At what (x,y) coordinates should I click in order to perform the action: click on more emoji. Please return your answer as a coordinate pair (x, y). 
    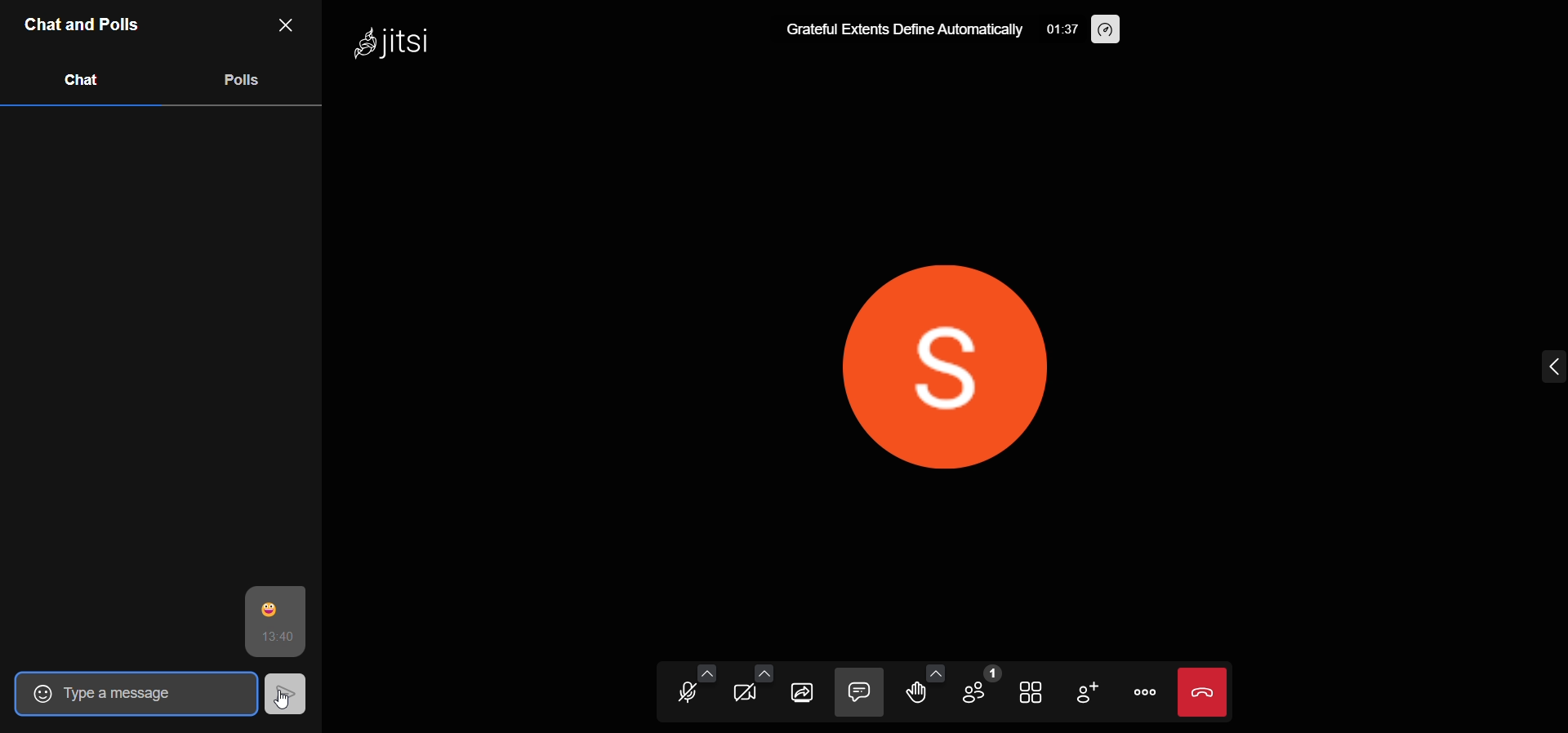
    Looking at the image, I should click on (938, 670).